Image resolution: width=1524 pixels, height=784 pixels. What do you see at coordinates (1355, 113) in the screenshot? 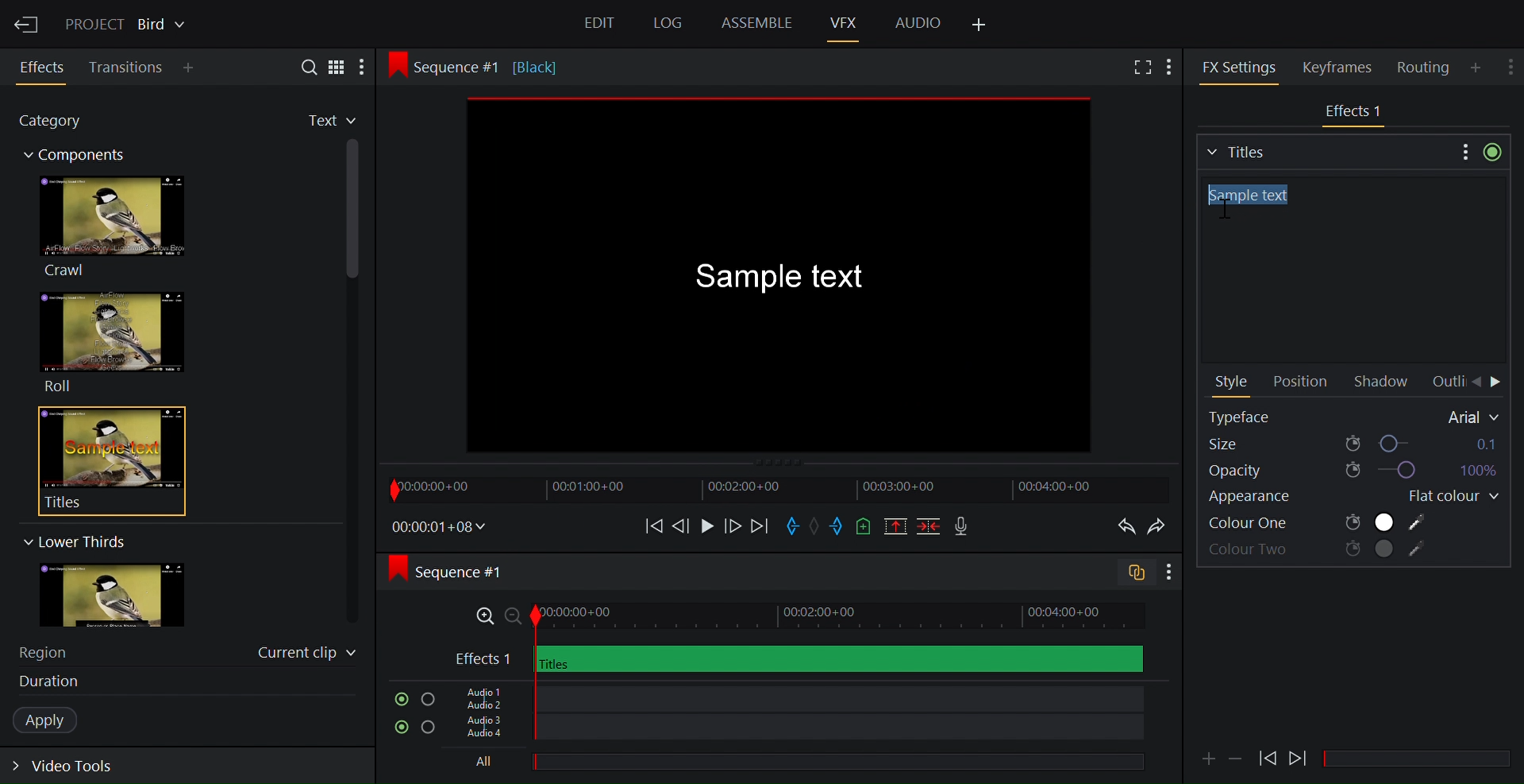
I see `Video Track Effects ` at bounding box center [1355, 113].